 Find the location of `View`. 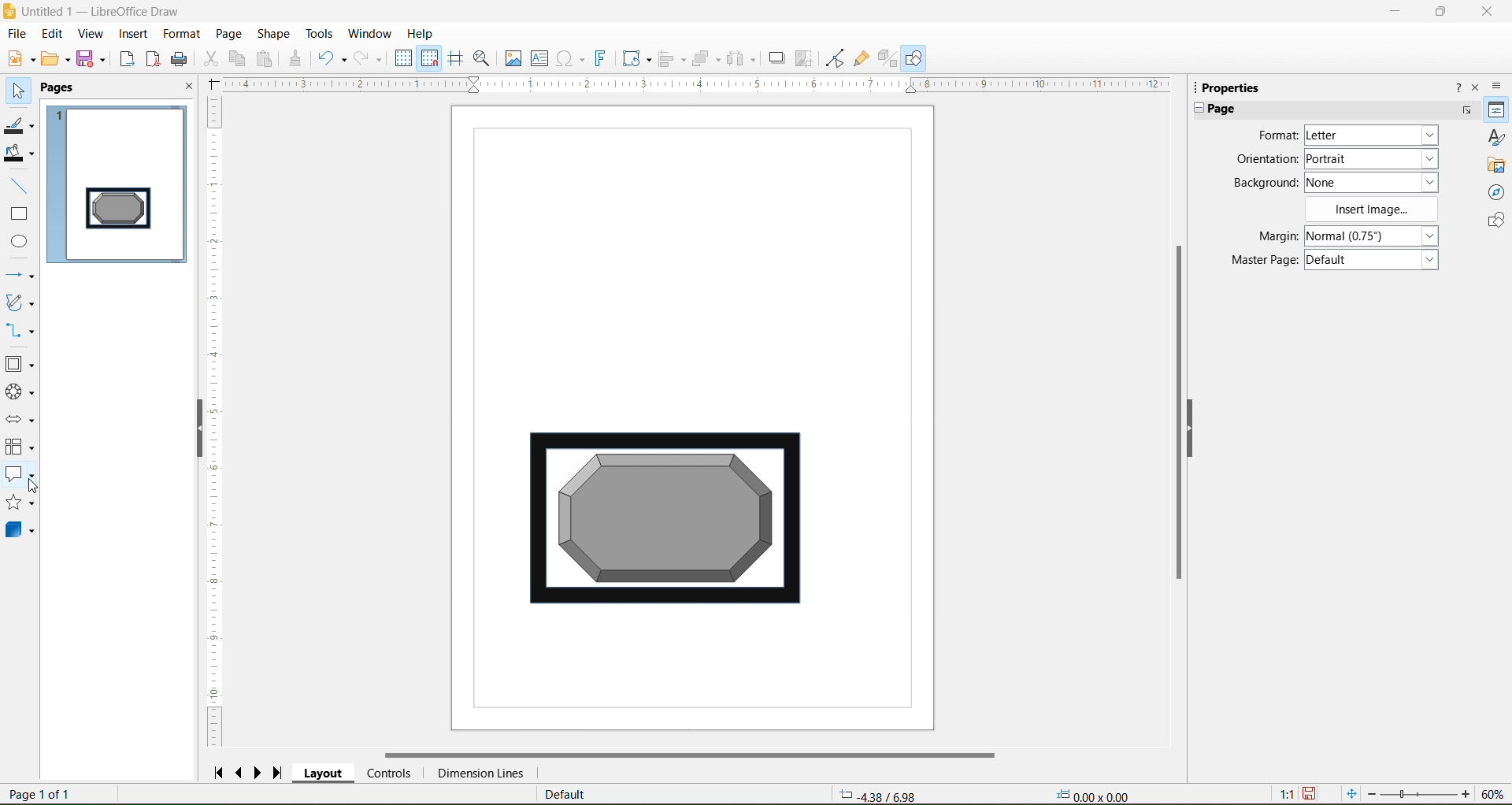

View is located at coordinates (90, 33).